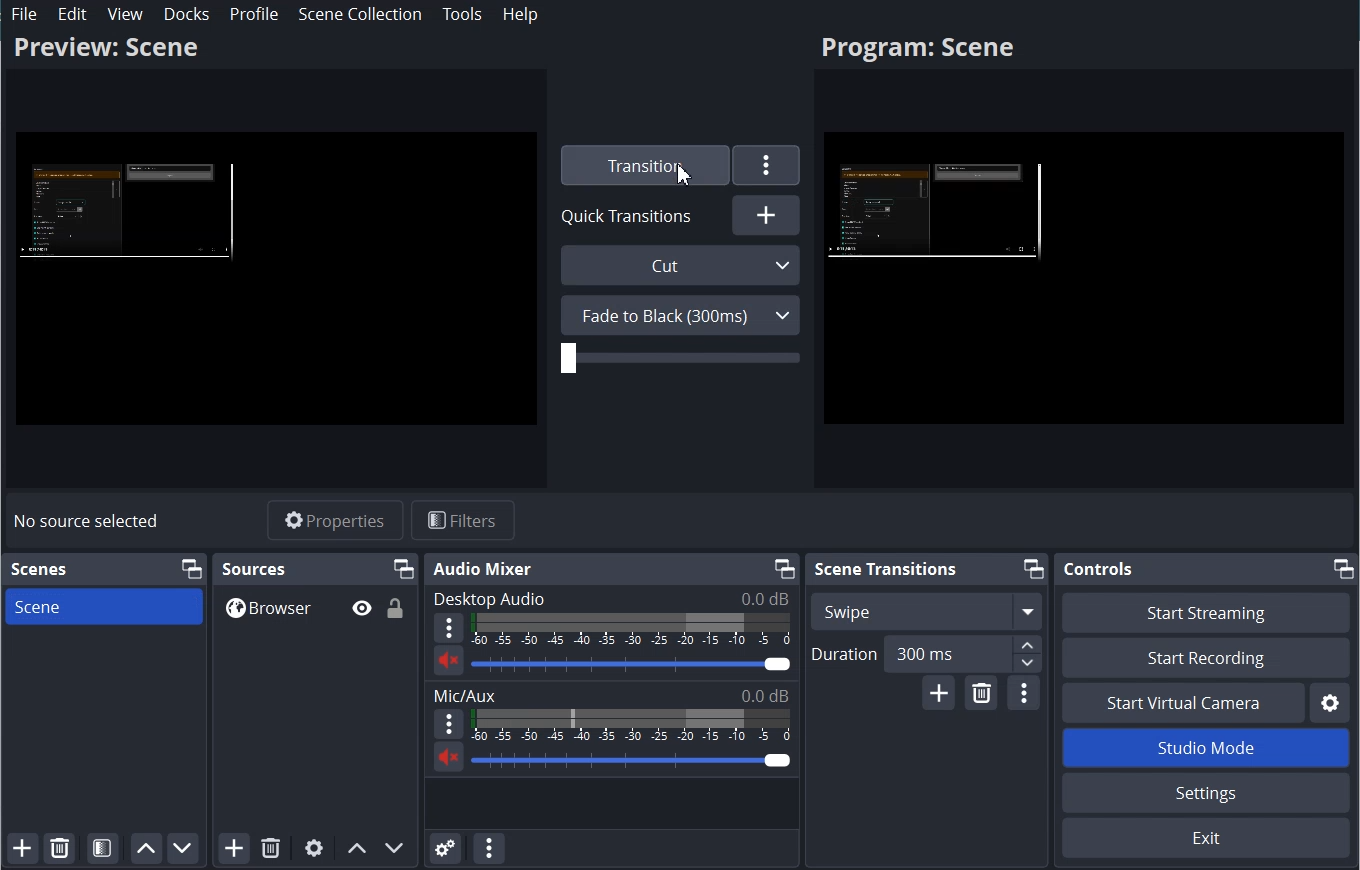  Describe the element at coordinates (183, 849) in the screenshot. I see `Move Scene down` at that location.